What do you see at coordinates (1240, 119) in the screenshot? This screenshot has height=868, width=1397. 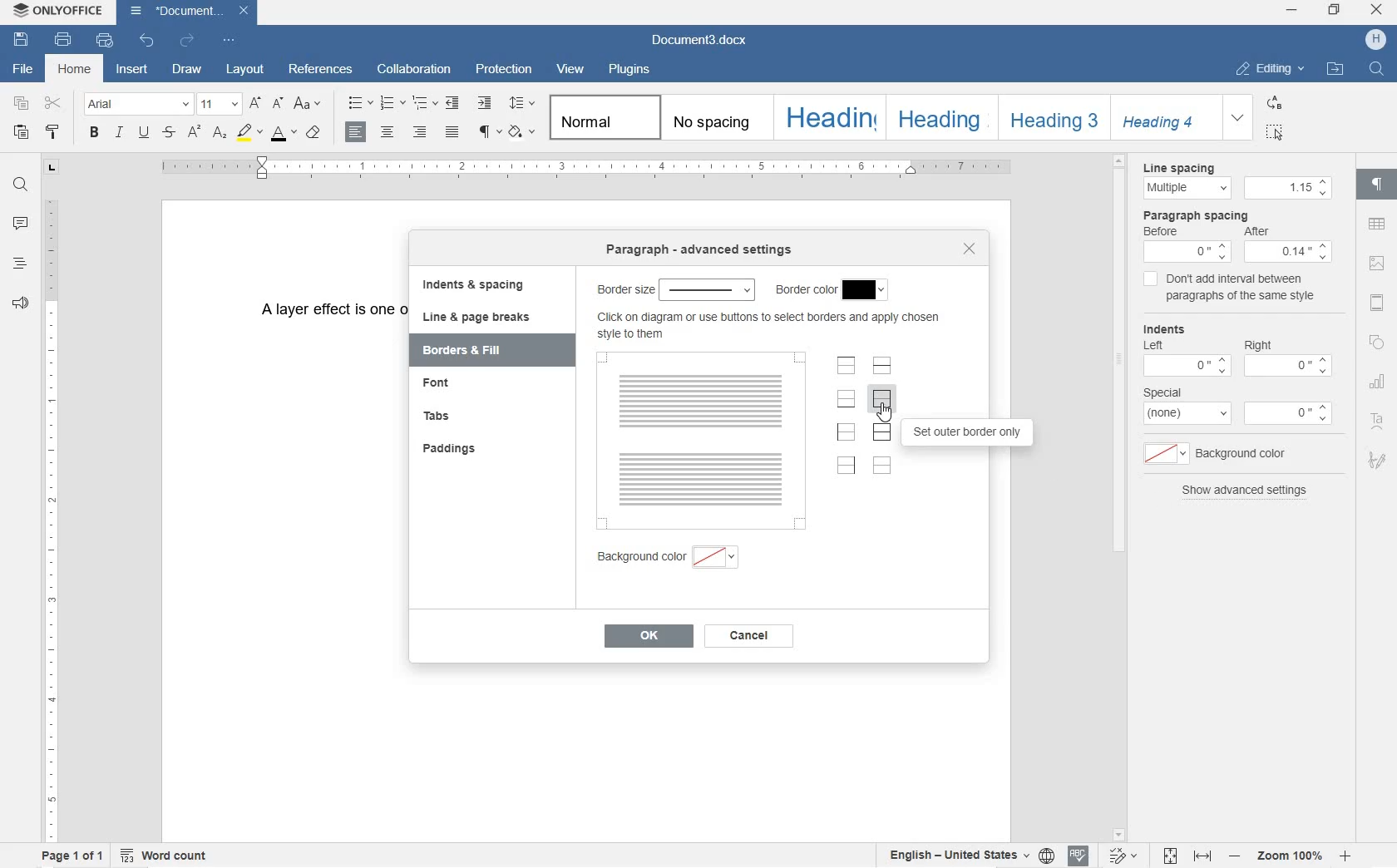 I see `EXPAND FORMATTING STYLE` at bounding box center [1240, 119].